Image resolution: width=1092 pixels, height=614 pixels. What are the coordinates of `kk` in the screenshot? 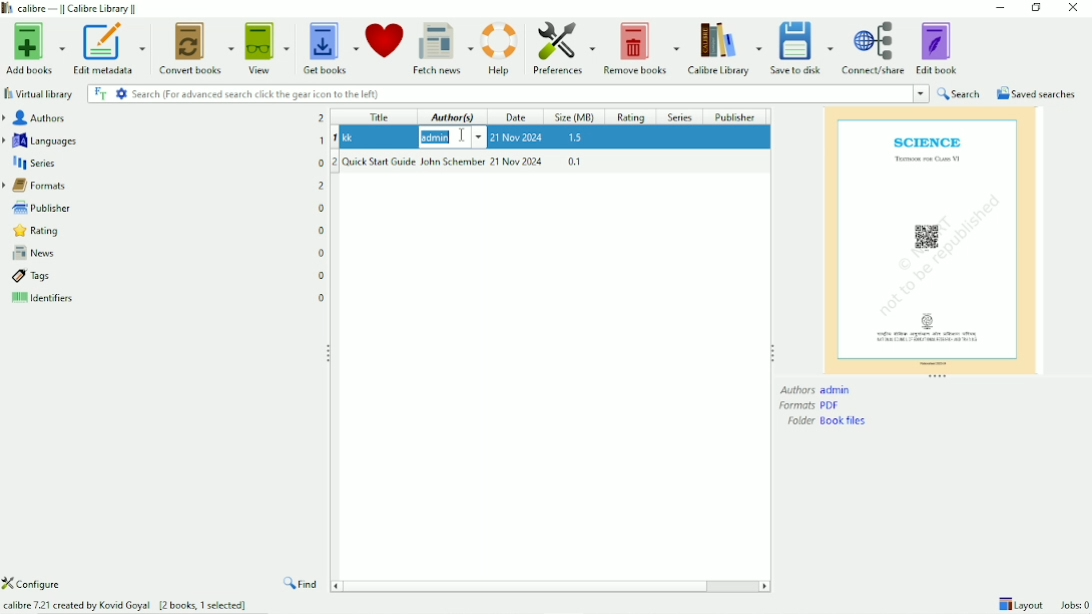 It's located at (552, 138).